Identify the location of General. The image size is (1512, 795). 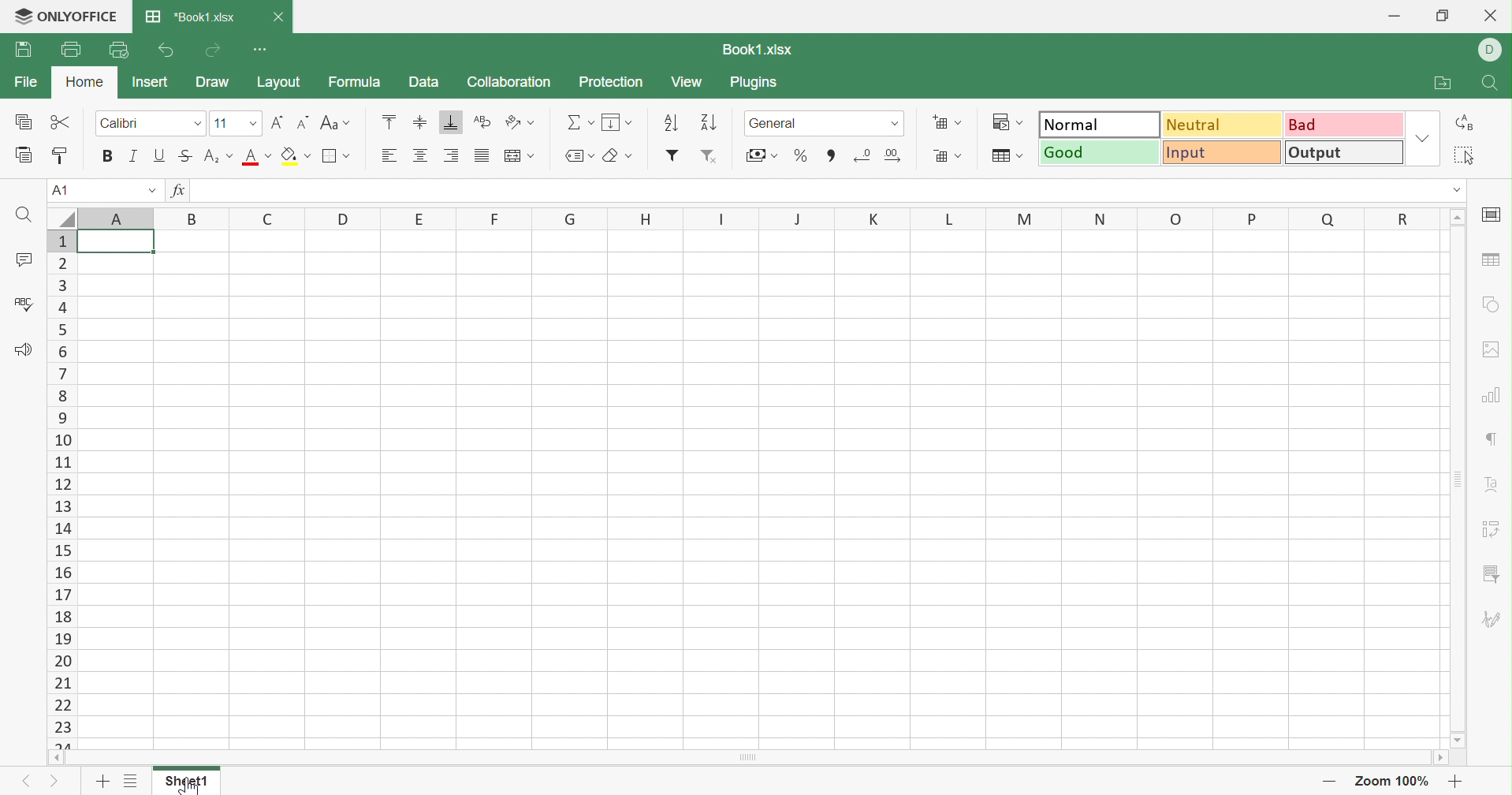
(785, 121).